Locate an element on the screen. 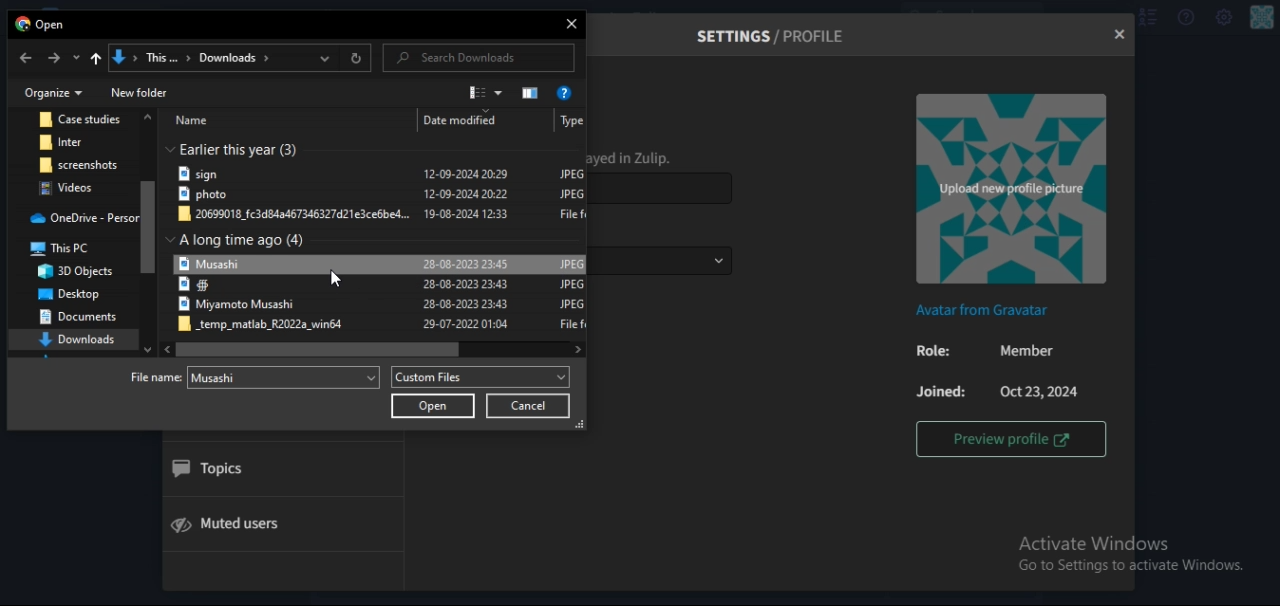 Image resolution: width=1280 pixels, height=606 pixels. scroll up is located at coordinates (148, 118).